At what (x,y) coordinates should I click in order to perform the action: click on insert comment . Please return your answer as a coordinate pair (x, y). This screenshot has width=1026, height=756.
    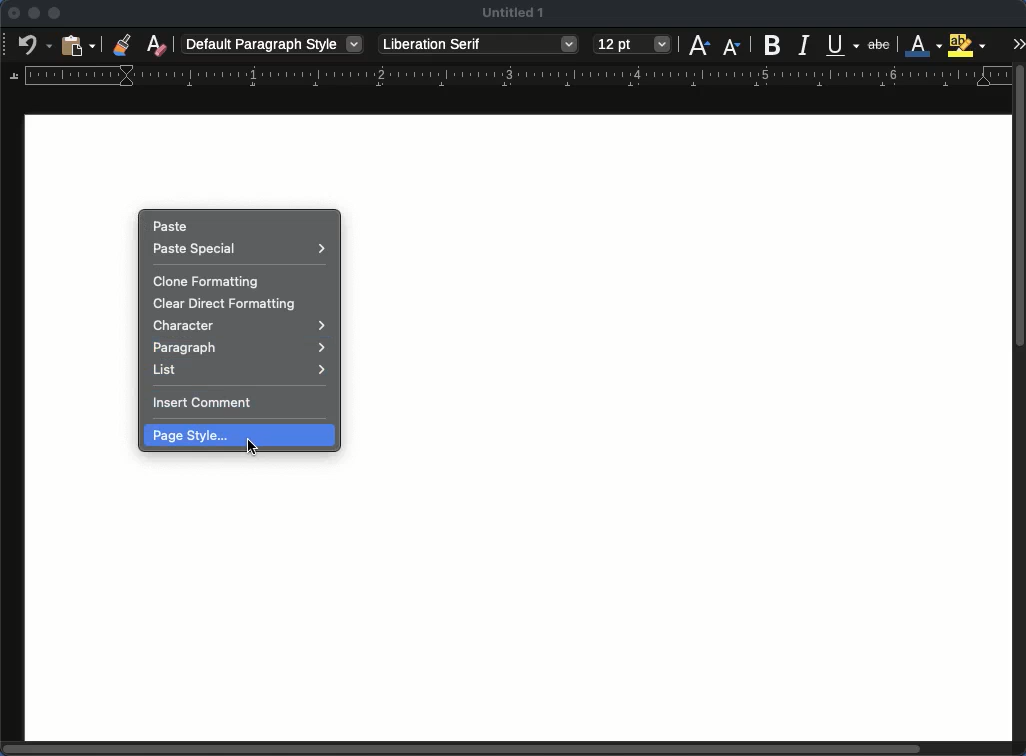
    Looking at the image, I should click on (206, 403).